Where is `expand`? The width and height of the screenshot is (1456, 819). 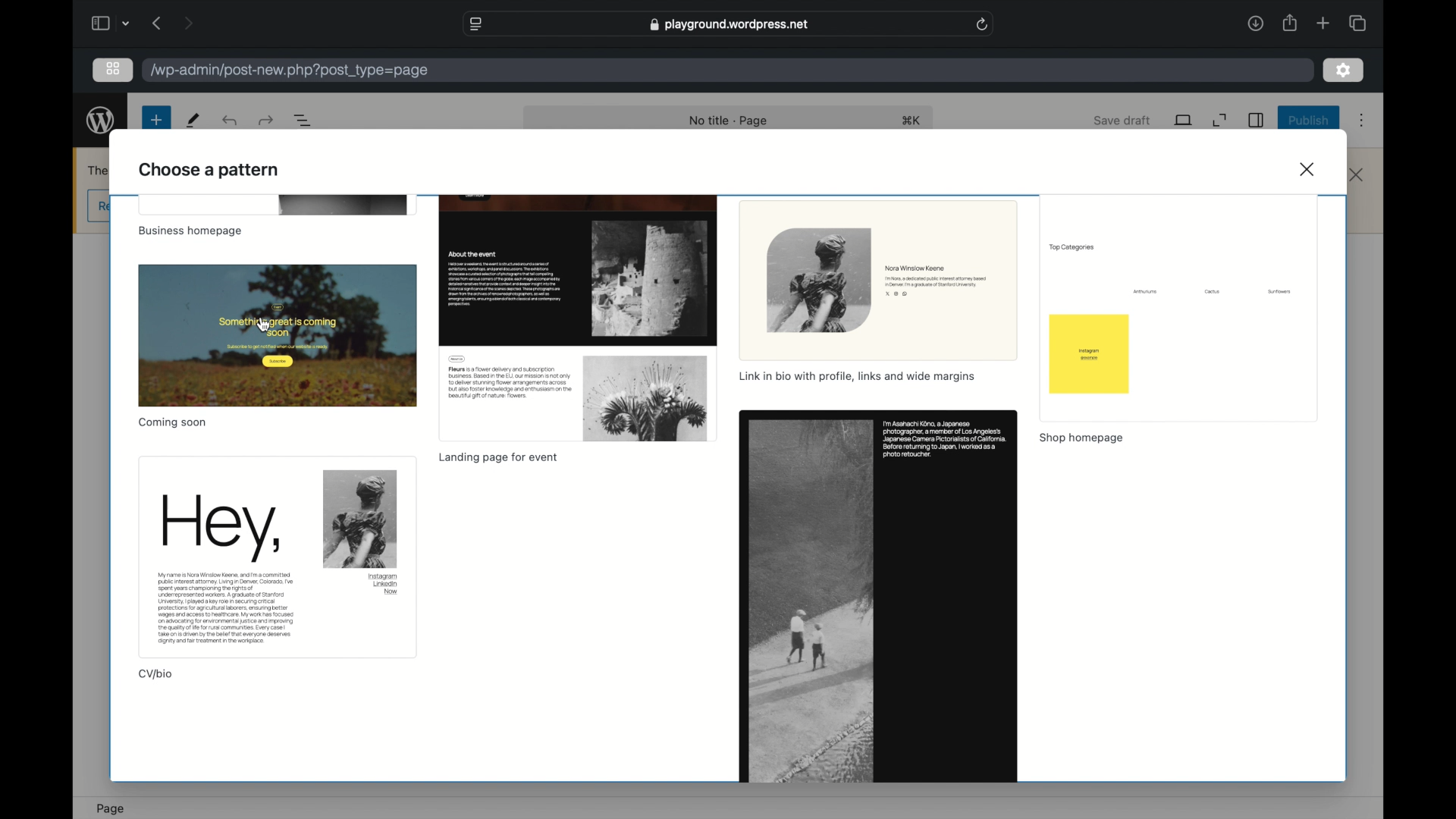 expand is located at coordinates (1221, 121).